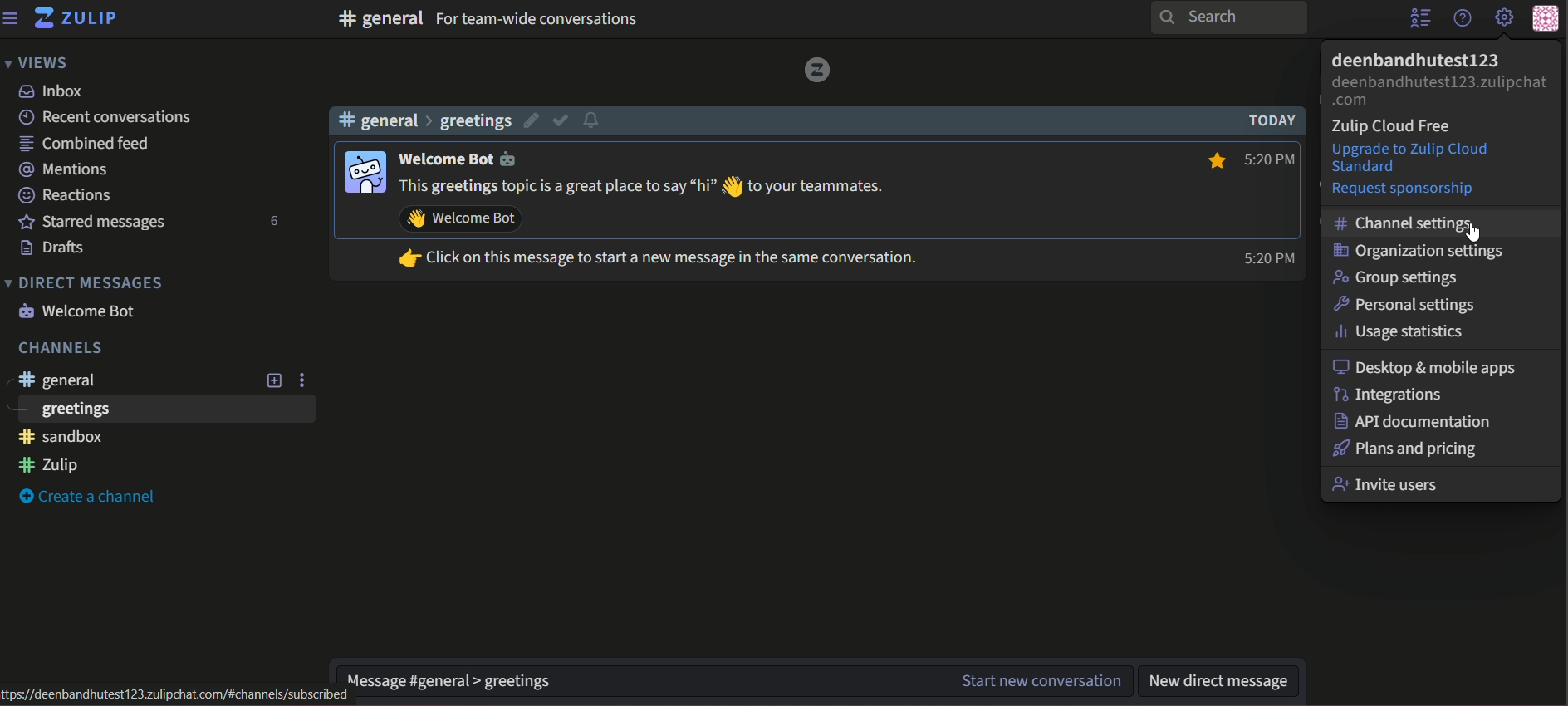 Image resolution: width=1568 pixels, height=706 pixels. I want to click on cursor, so click(1476, 233).